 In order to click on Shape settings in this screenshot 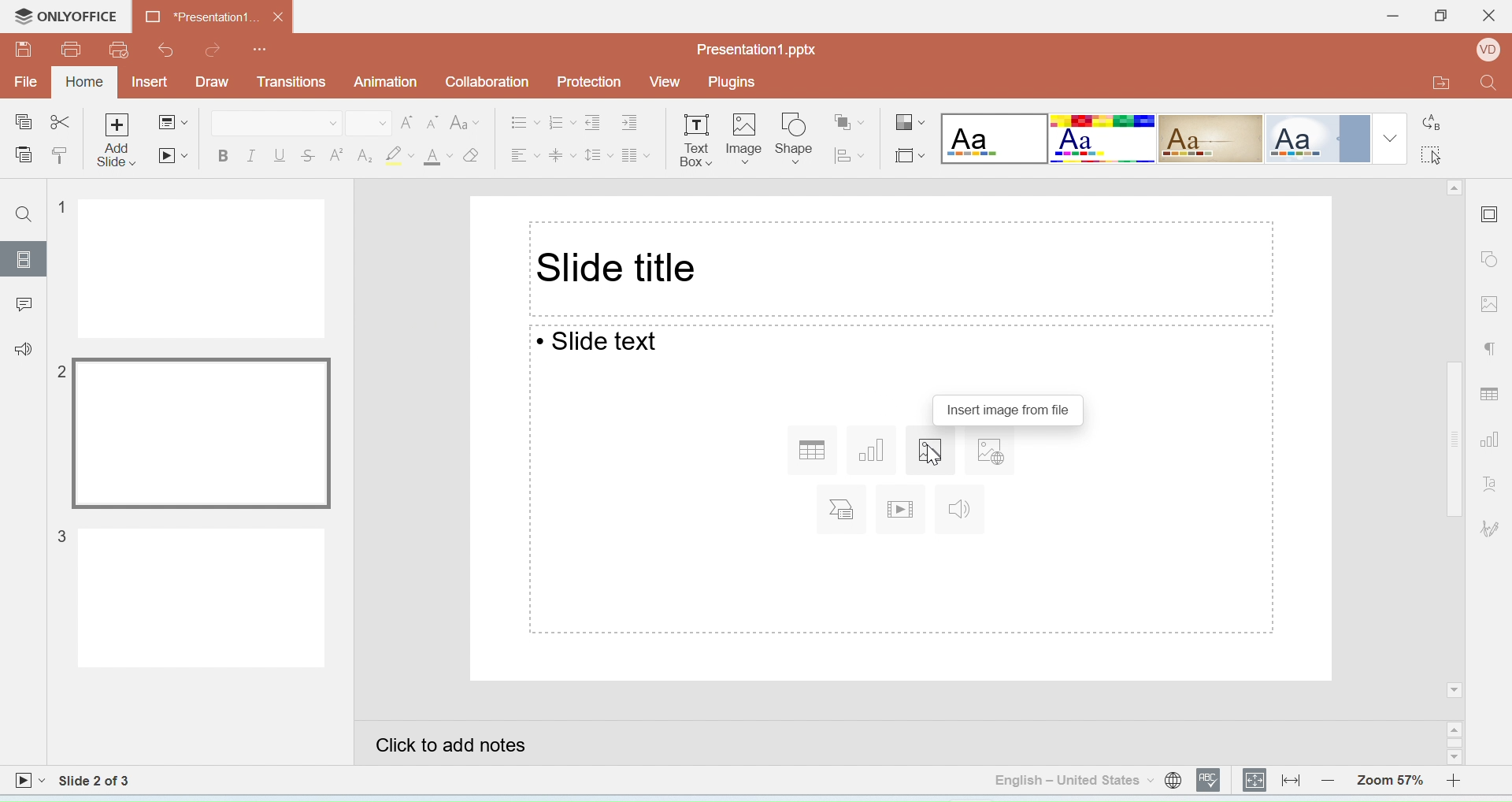, I will do `click(1493, 261)`.